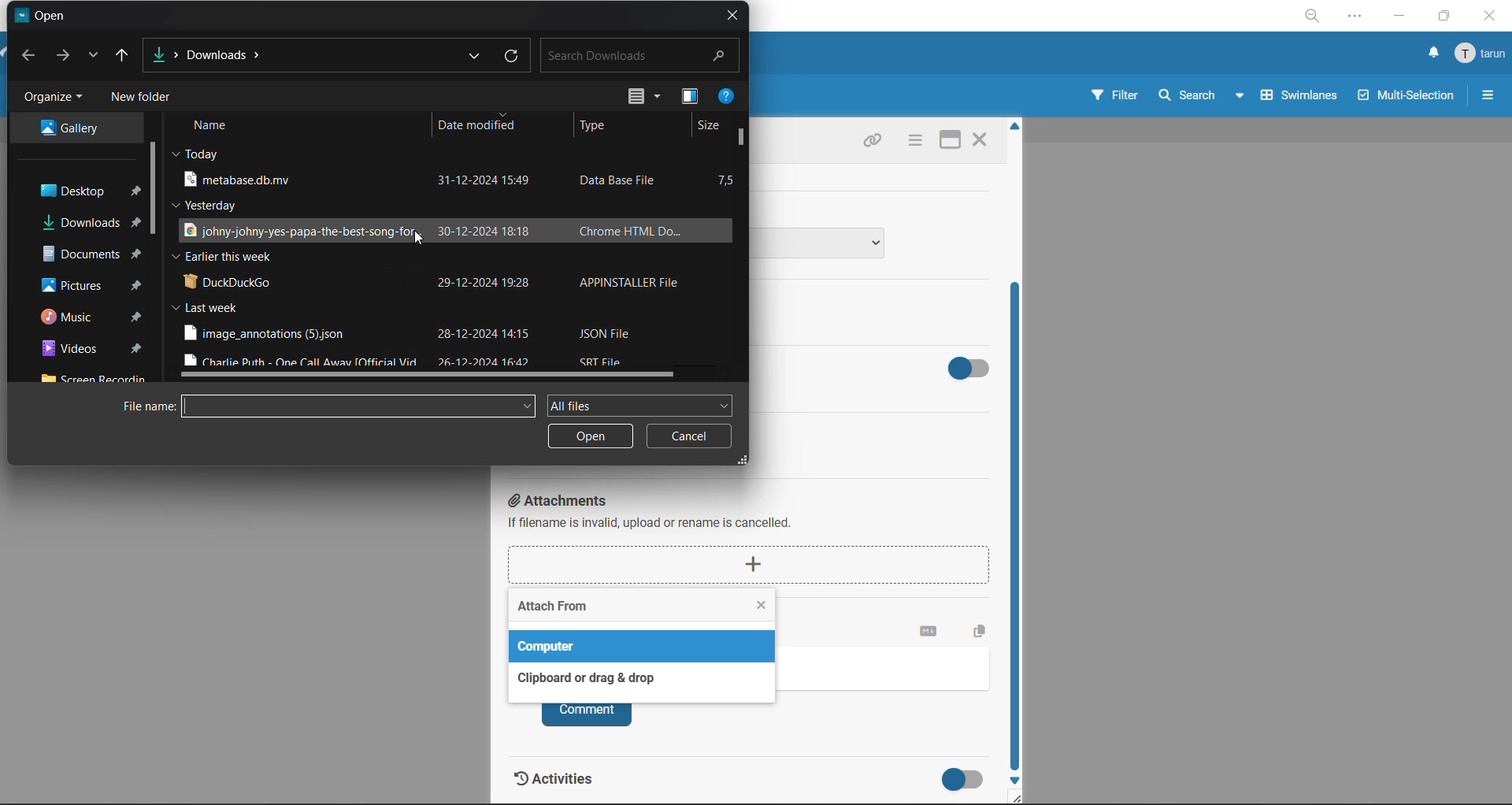 The height and width of the screenshot is (805, 1512). Describe the element at coordinates (1203, 95) in the screenshot. I see `search` at that location.